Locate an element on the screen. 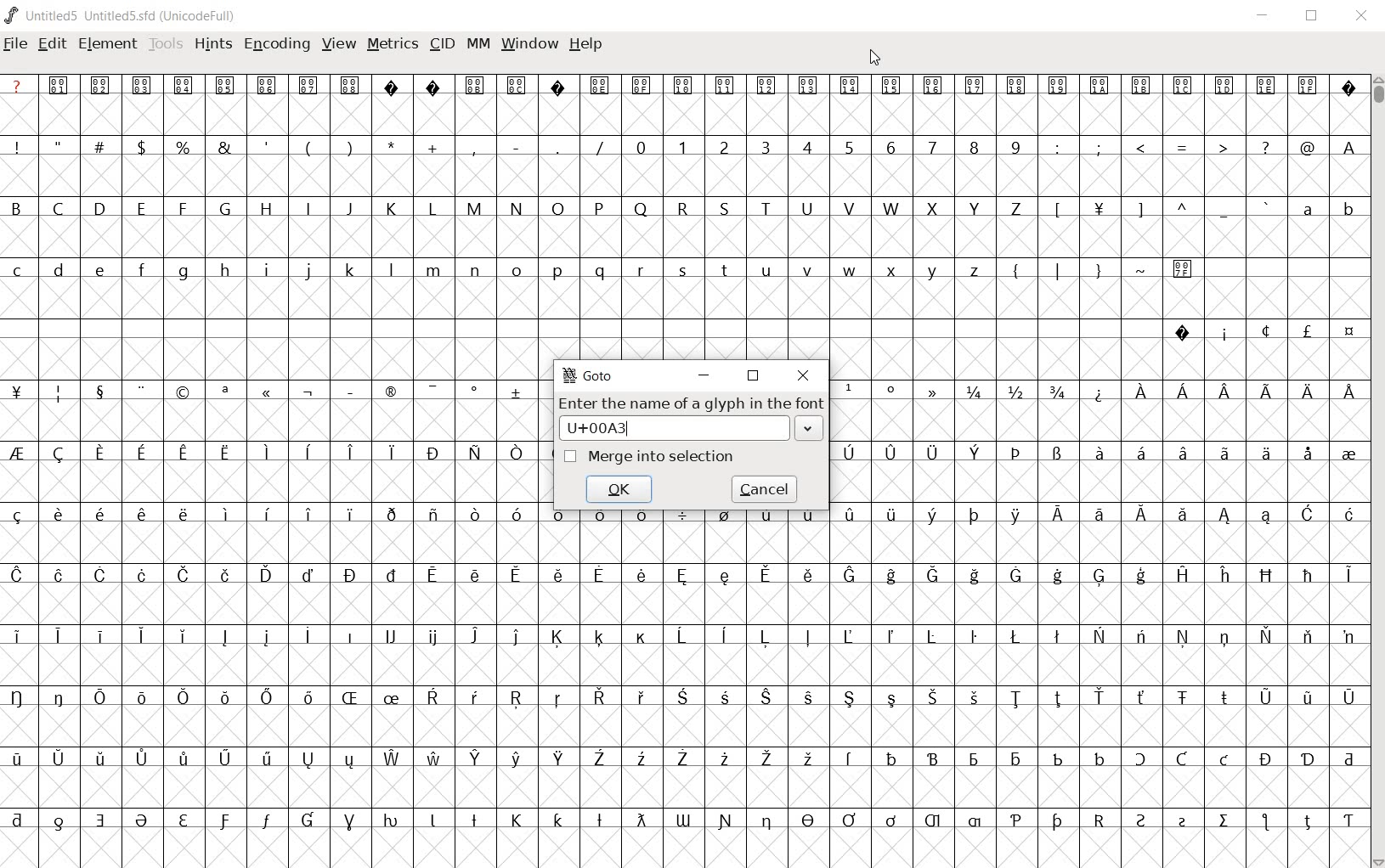  Symbol is located at coordinates (228, 450).